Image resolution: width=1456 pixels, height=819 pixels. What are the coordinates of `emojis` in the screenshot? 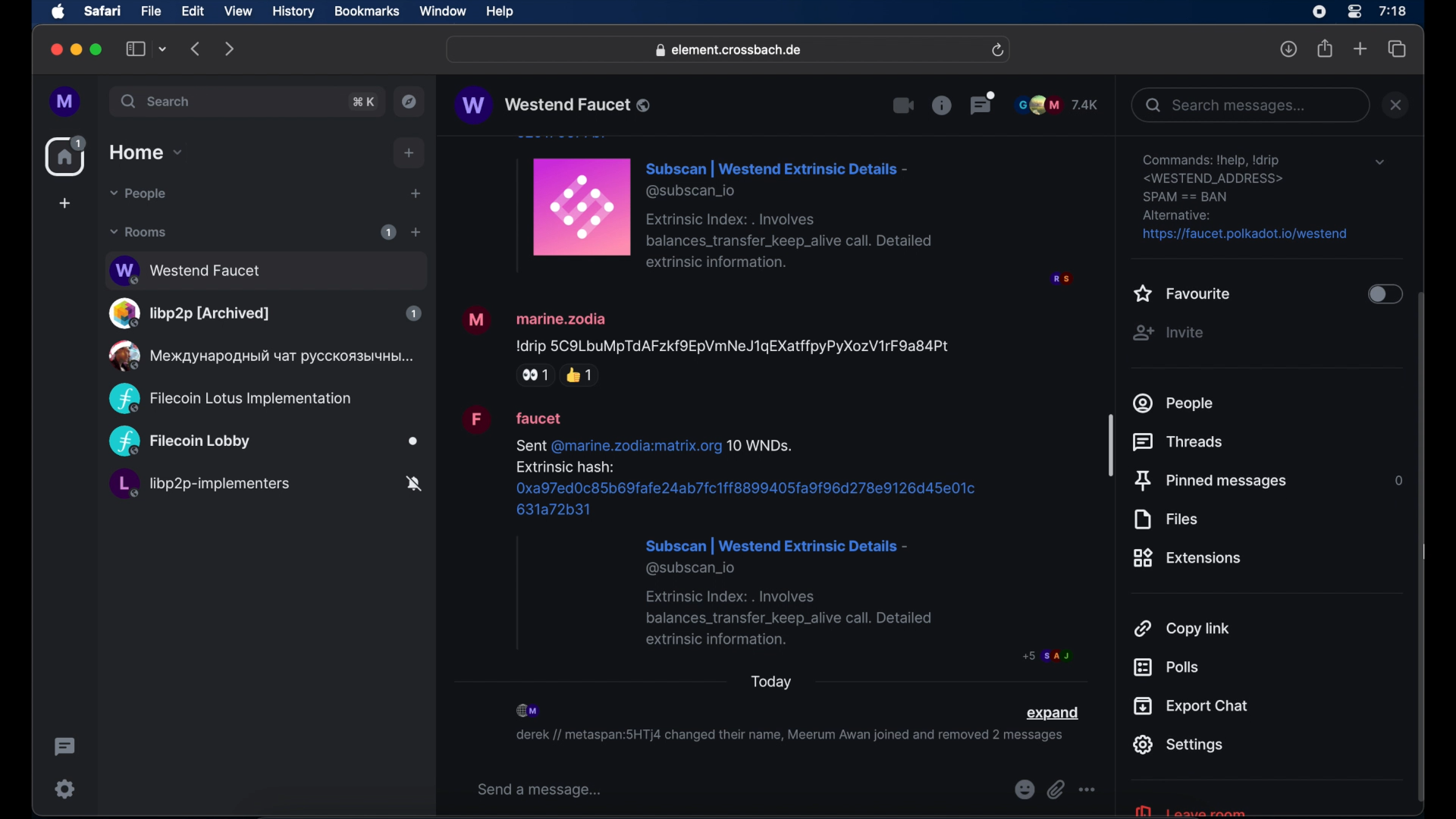 It's located at (1023, 790).